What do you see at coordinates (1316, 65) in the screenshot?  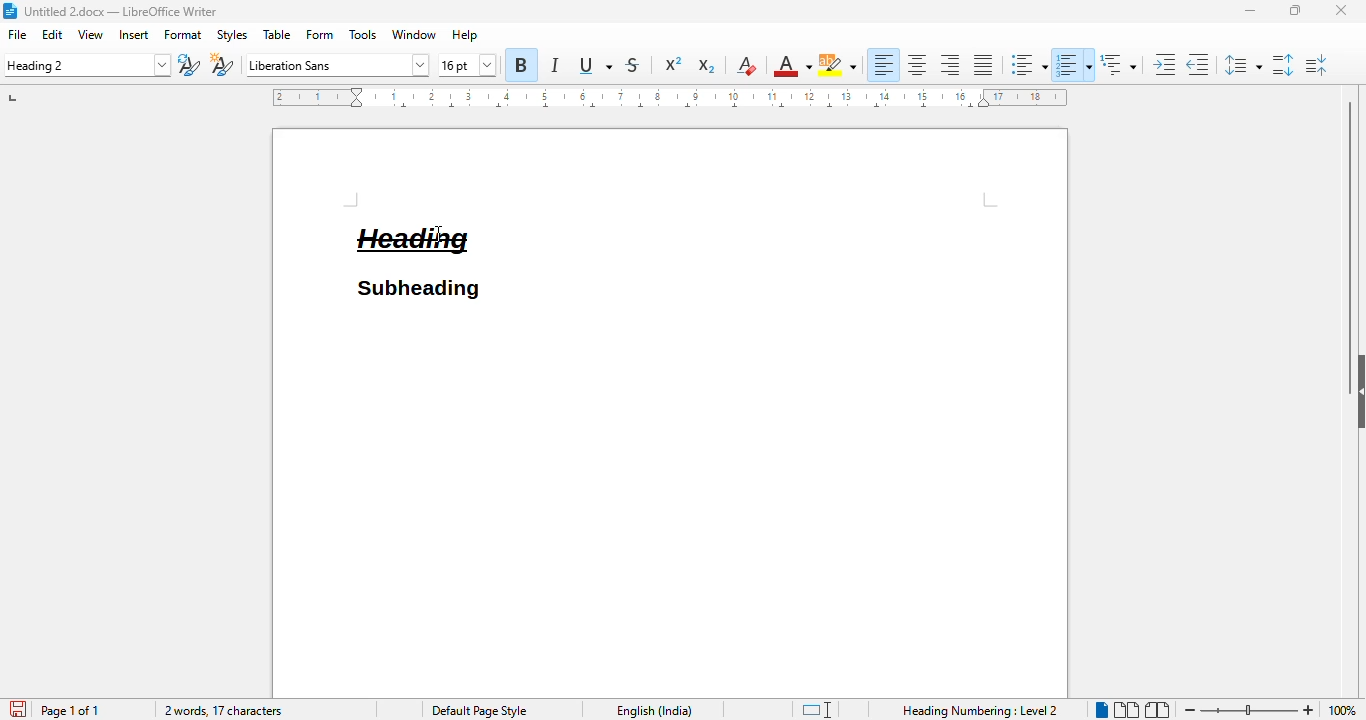 I see `decrease paragraph spacing` at bounding box center [1316, 65].